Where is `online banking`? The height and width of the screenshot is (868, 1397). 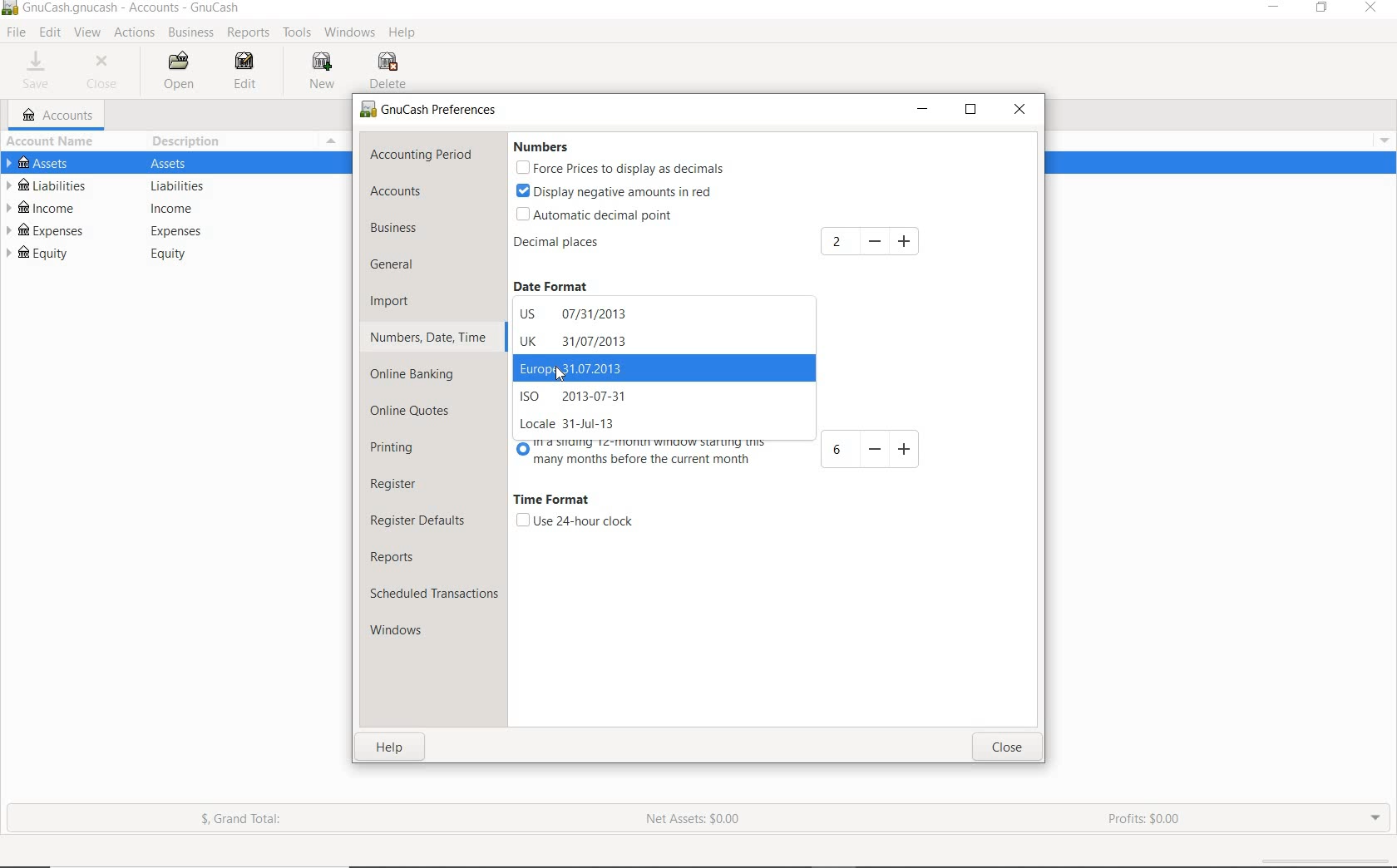
online banking is located at coordinates (421, 374).